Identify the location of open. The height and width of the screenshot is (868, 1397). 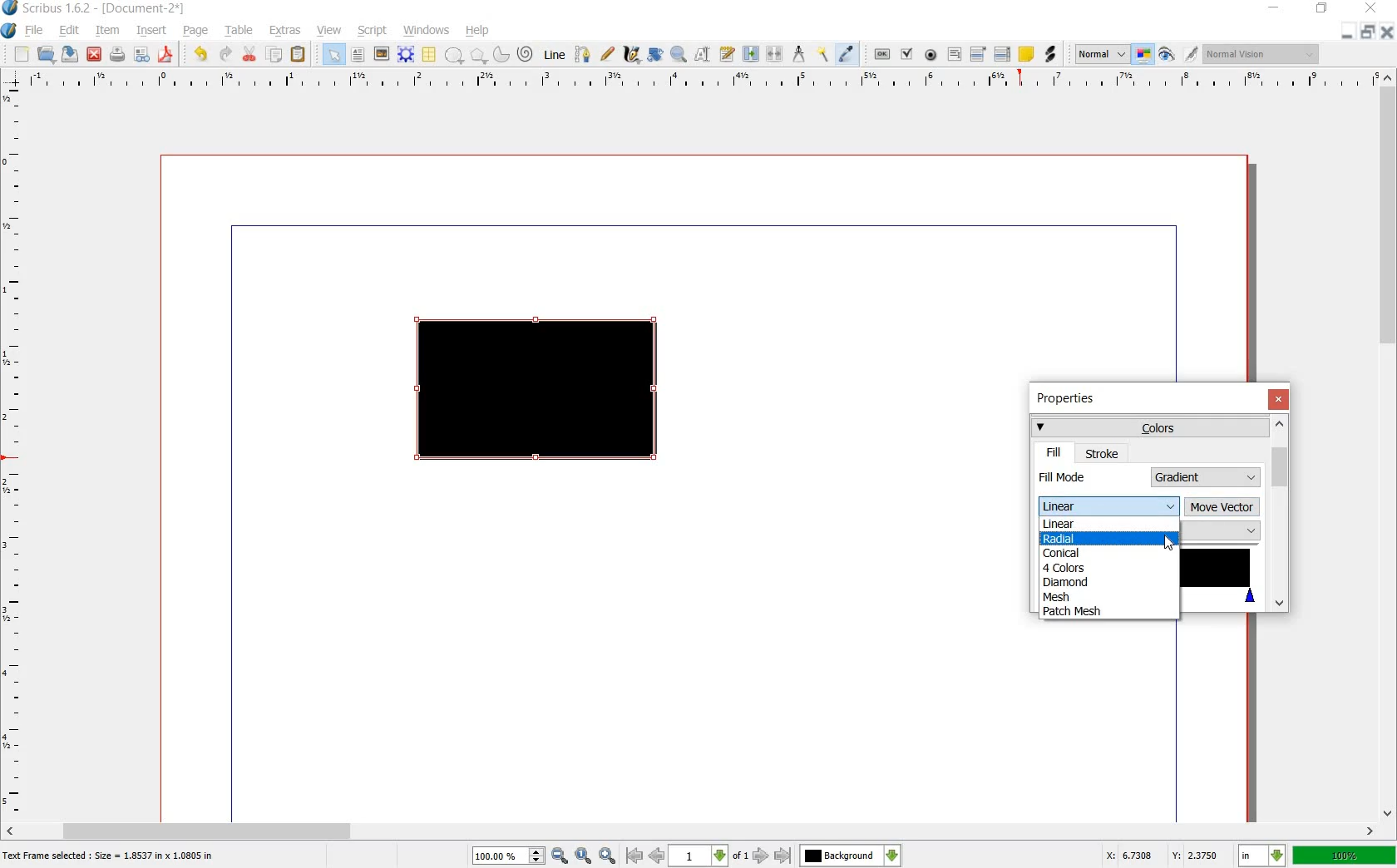
(48, 55).